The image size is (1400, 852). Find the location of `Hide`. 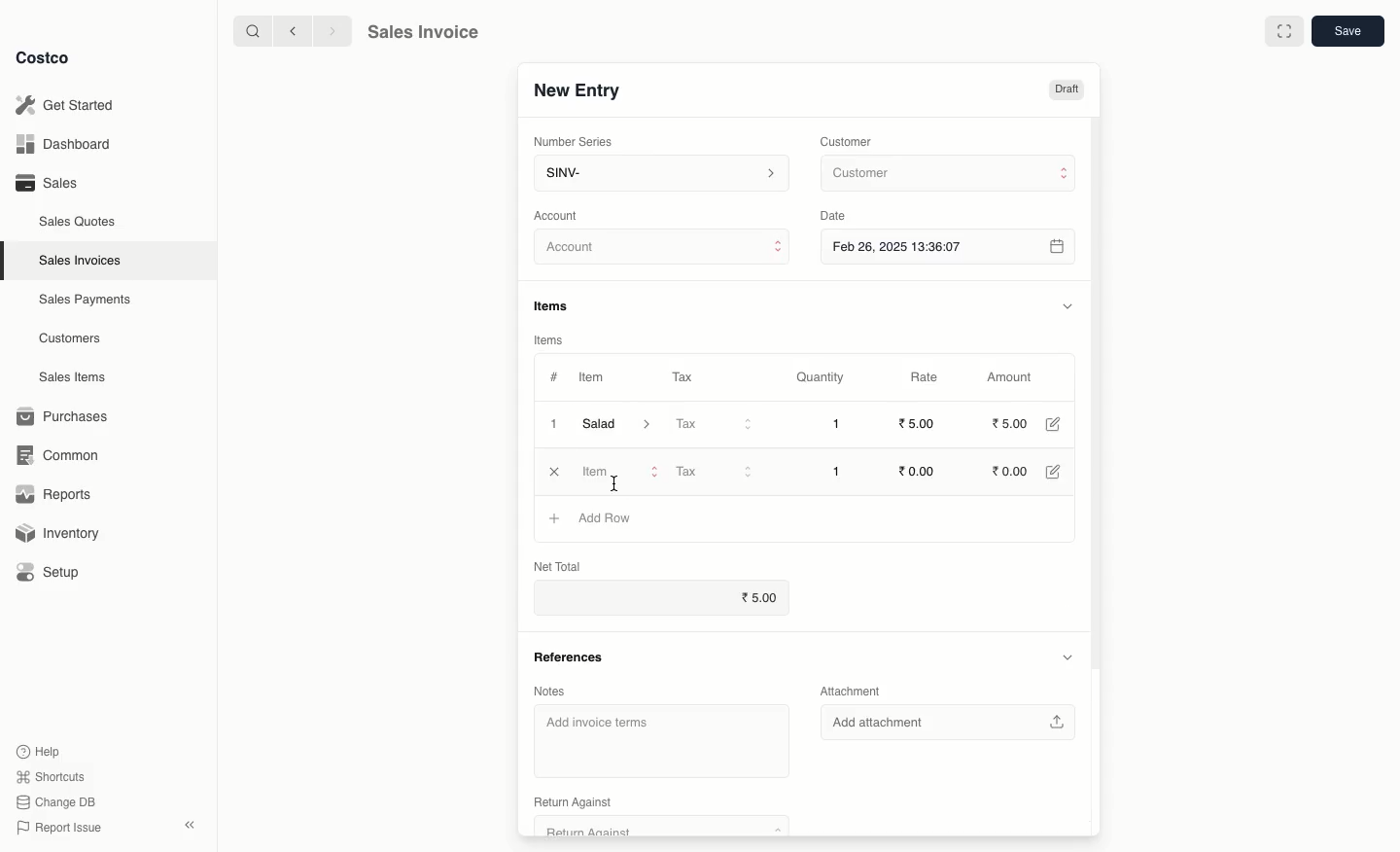

Hide is located at coordinates (1069, 657).